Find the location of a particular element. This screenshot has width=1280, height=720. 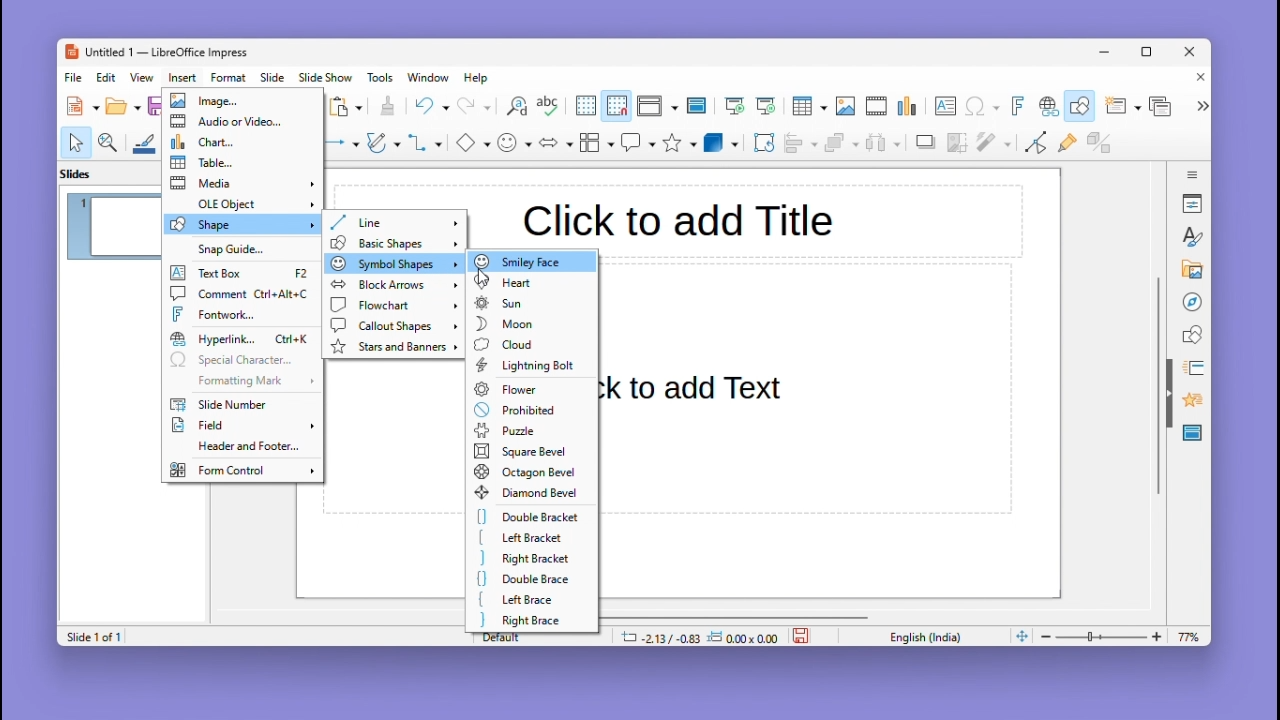

Default is located at coordinates (539, 636).